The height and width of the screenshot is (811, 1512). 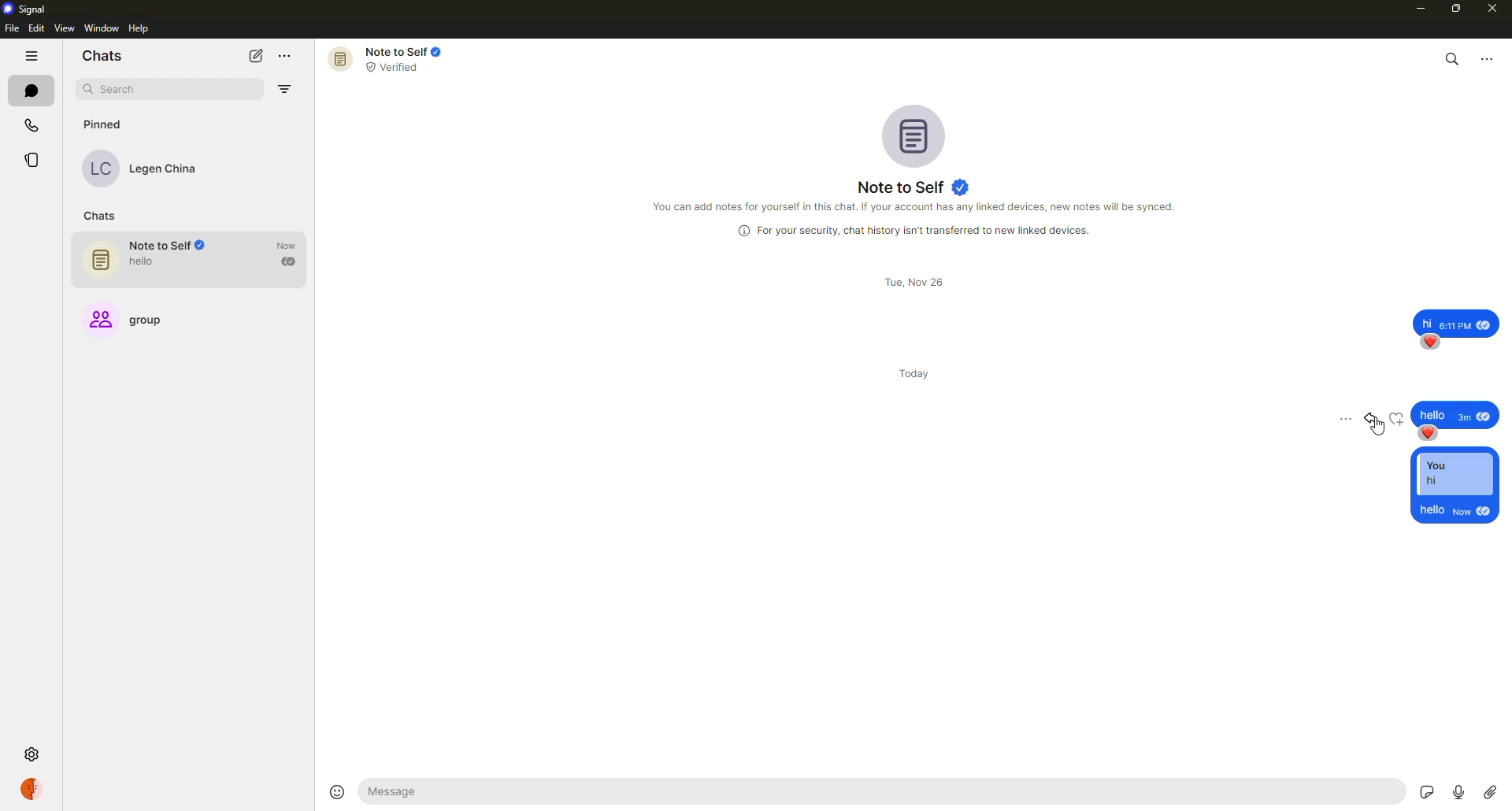 What do you see at coordinates (1432, 343) in the screenshot?
I see `reaction` at bounding box center [1432, 343].